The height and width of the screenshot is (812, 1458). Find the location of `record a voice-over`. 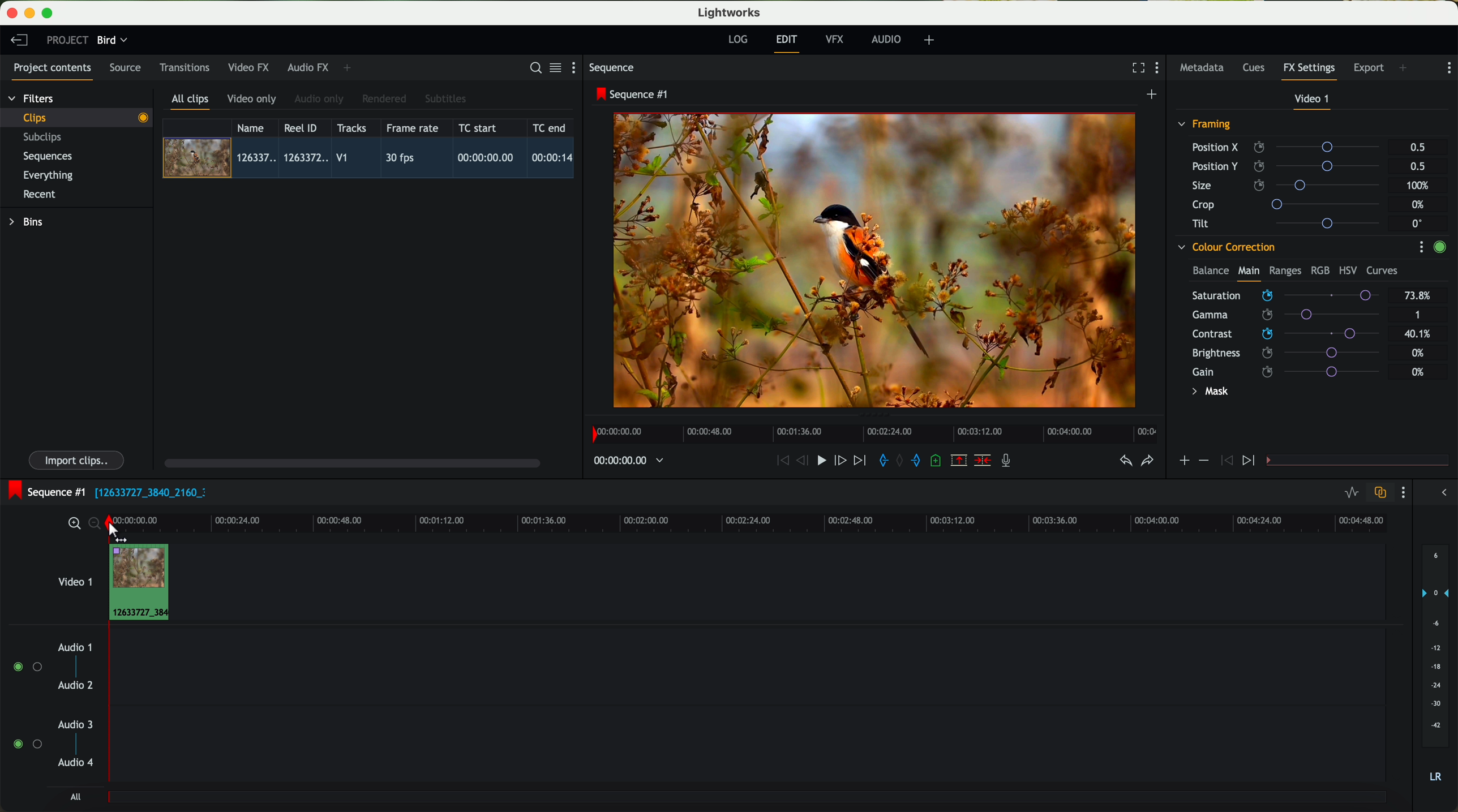

record a voice-over is located at coordinates (1010, 462).